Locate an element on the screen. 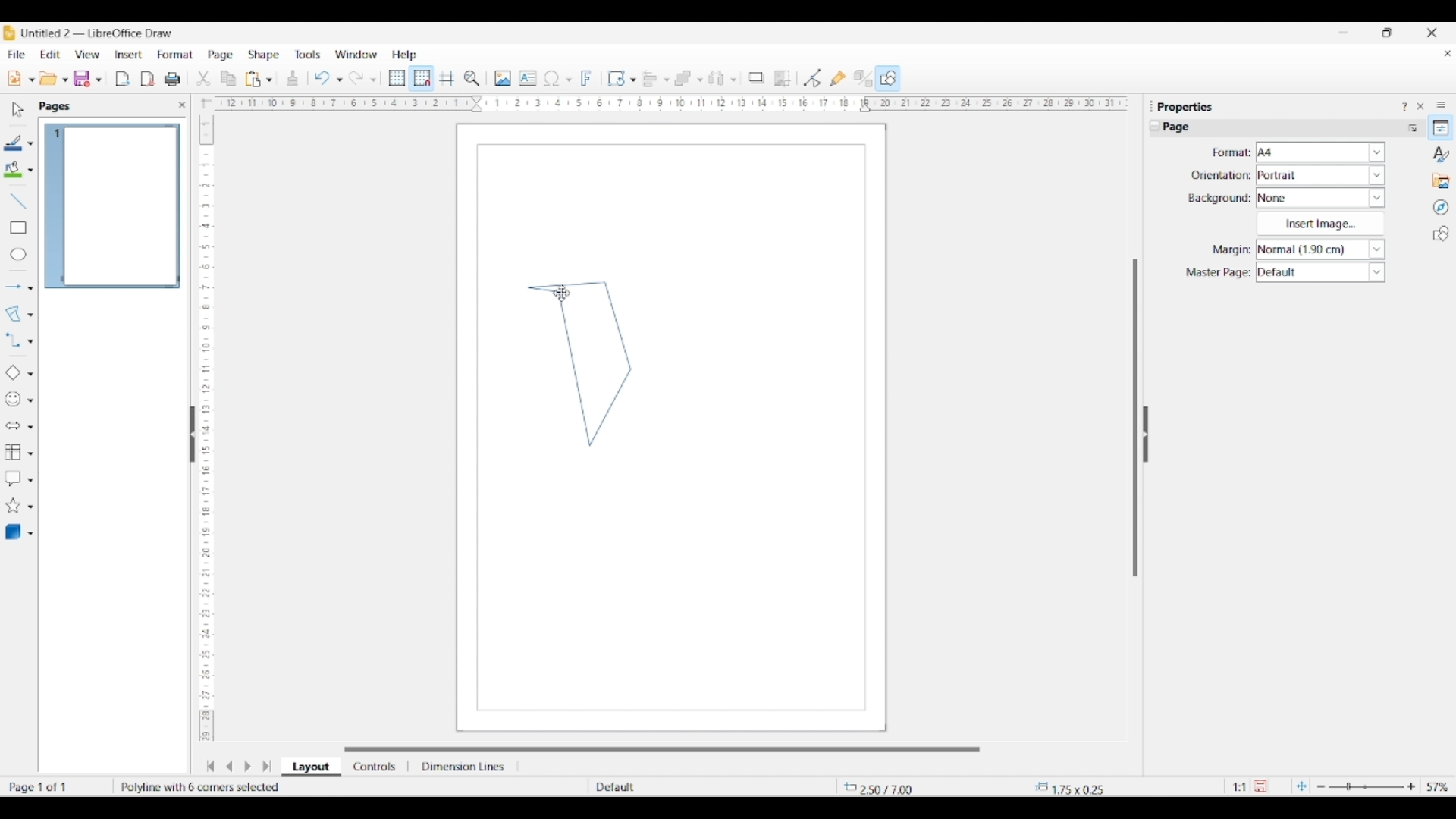 The height and width of the screenshot is (819, 1456). Selected fill color is located at coordinates (13, 169).